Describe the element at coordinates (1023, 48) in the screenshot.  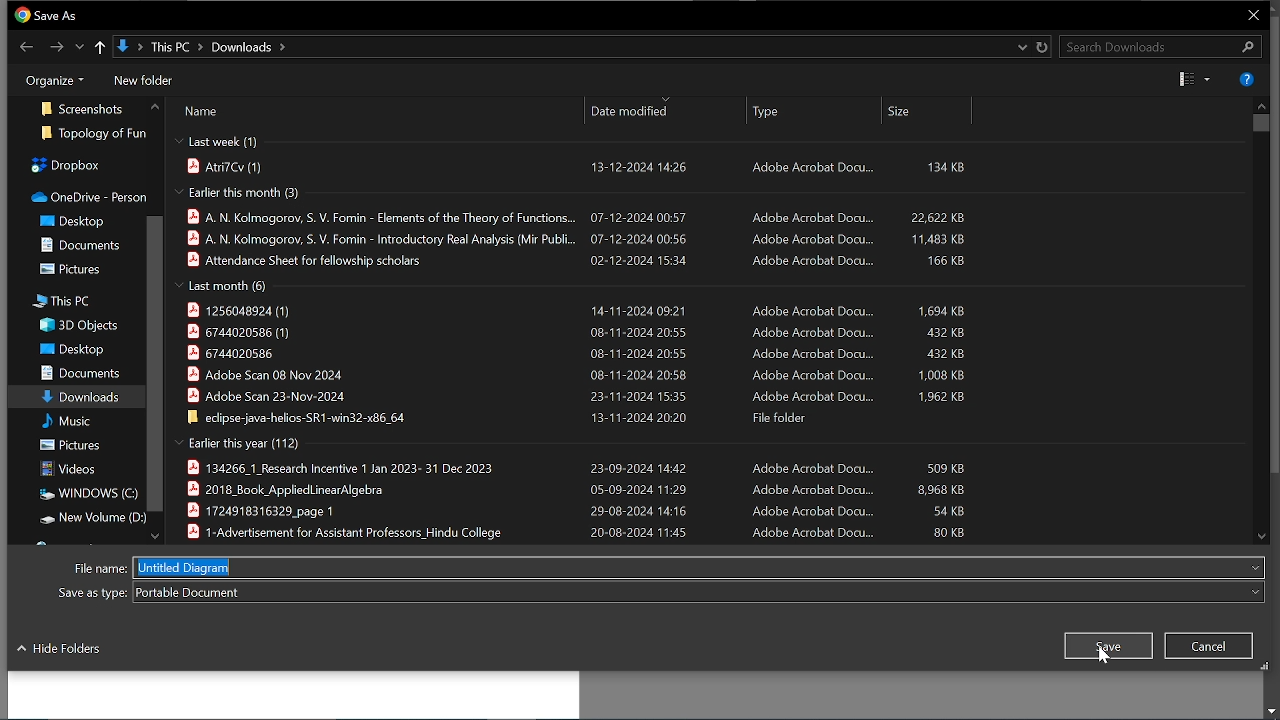
I see `Previous location` at that location.